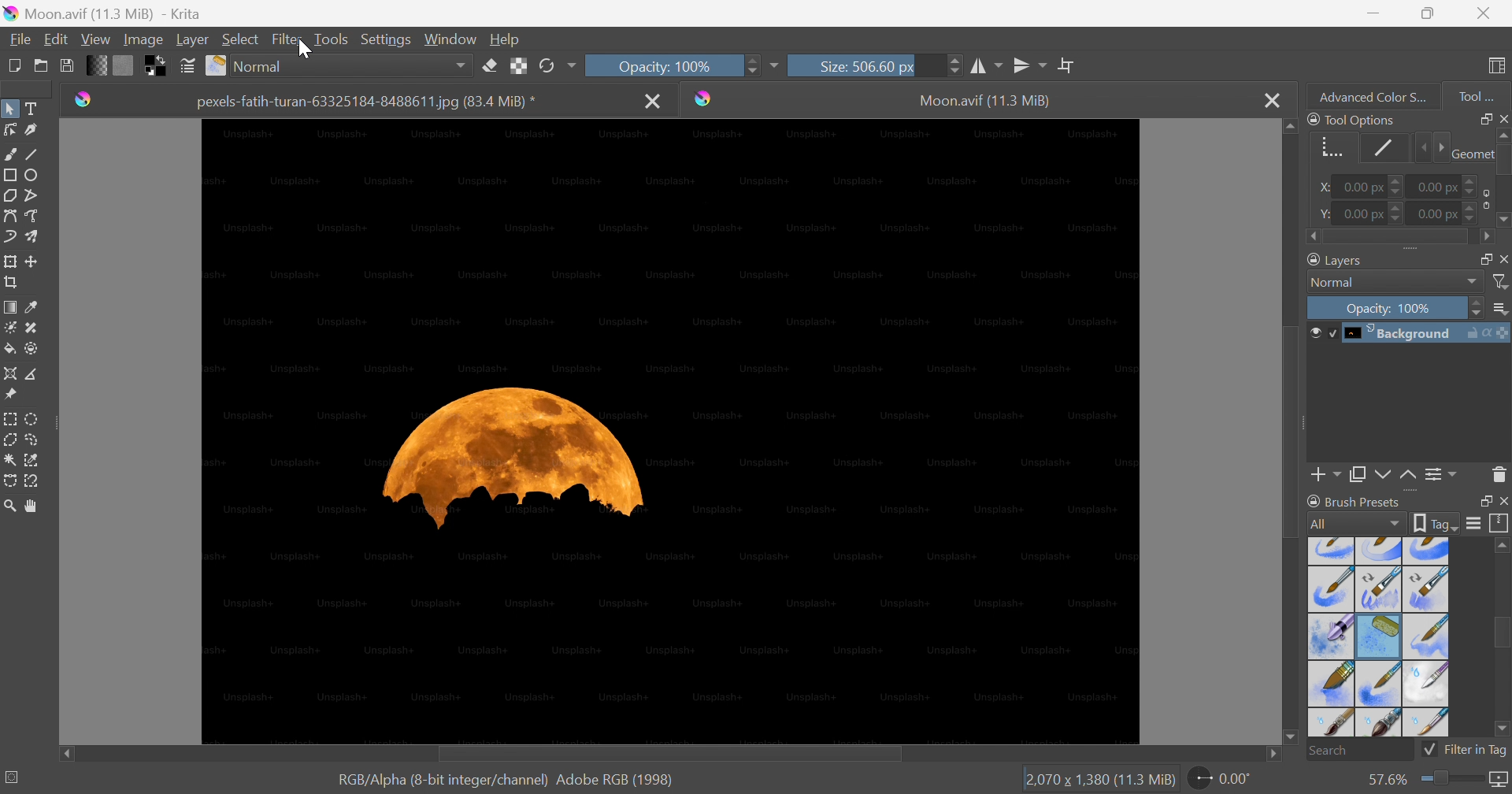 The height and width of the screenshot is (794, 1512). Describe the element at coordinates (34, 195) in the screenshot. I see `Polyline tool` at that location.